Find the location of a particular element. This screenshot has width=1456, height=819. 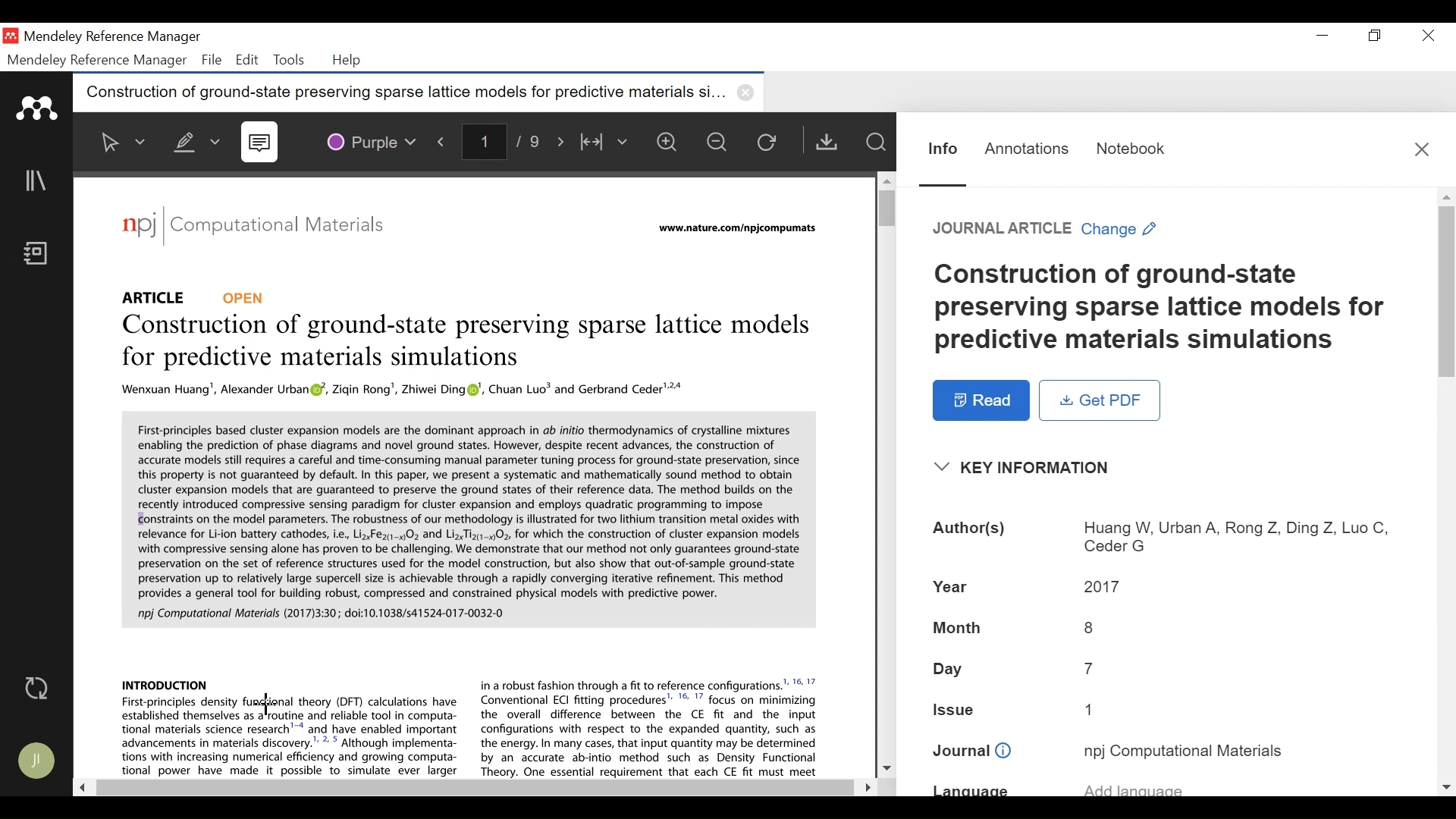

Mendeley Reference Manager is located at coordinates (113, 37).